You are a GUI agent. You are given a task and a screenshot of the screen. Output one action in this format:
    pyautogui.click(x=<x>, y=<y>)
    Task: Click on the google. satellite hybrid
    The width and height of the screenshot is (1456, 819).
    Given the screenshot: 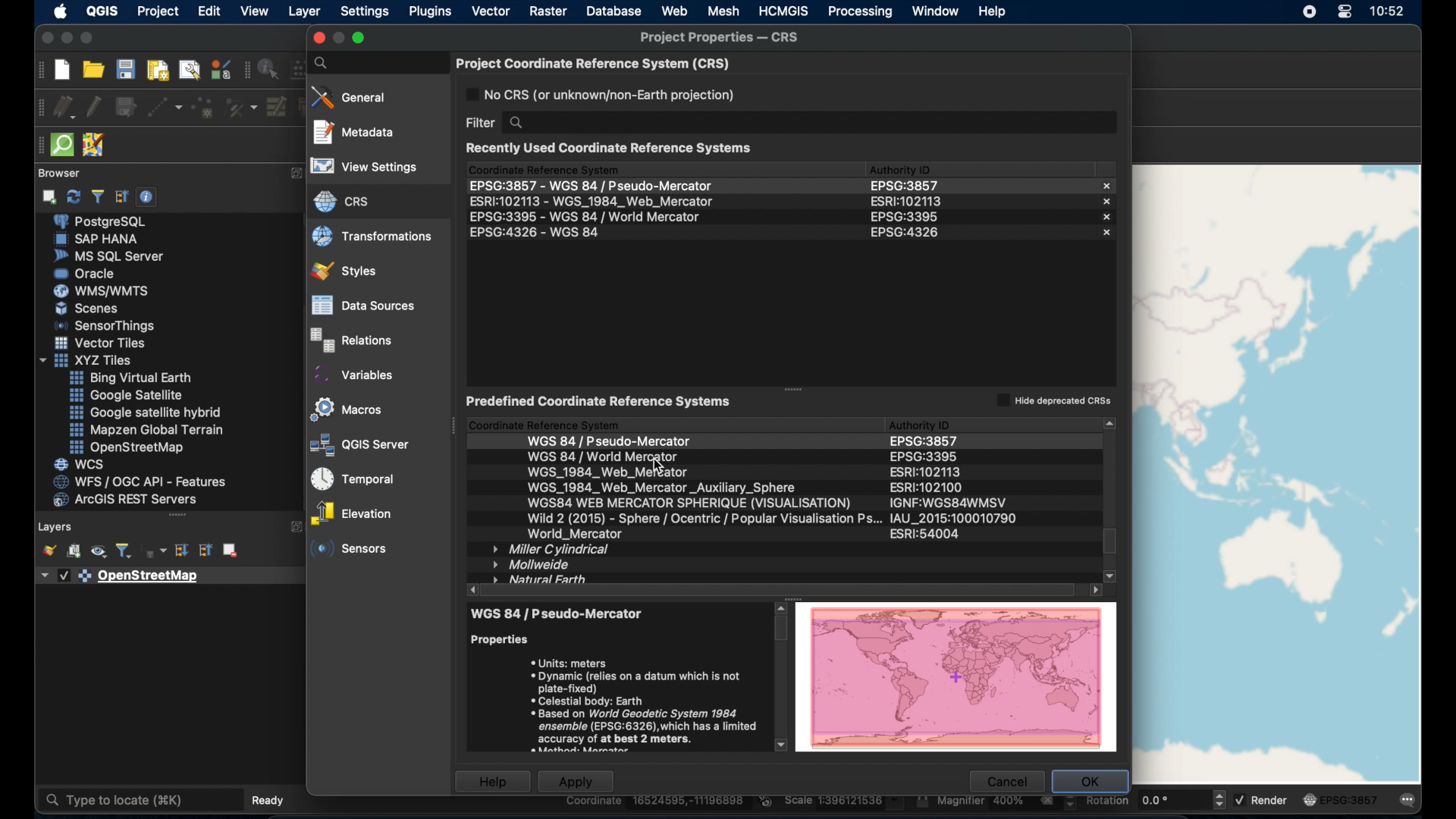 What is the action you would take?
    pyautogui.click(x=144, y=414)
    